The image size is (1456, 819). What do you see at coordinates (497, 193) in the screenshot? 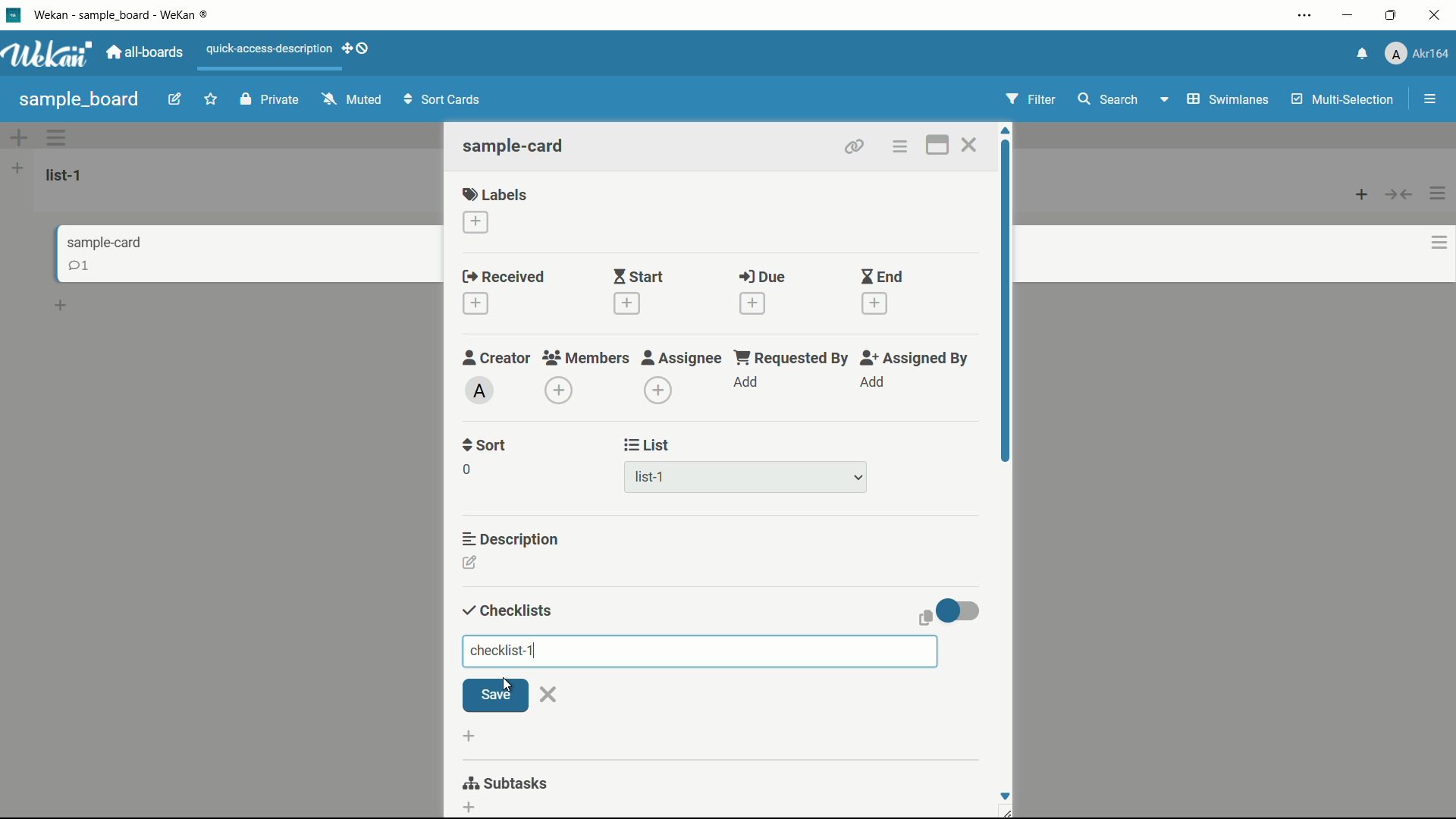
I see `labels` at bounding box center [497, 193].